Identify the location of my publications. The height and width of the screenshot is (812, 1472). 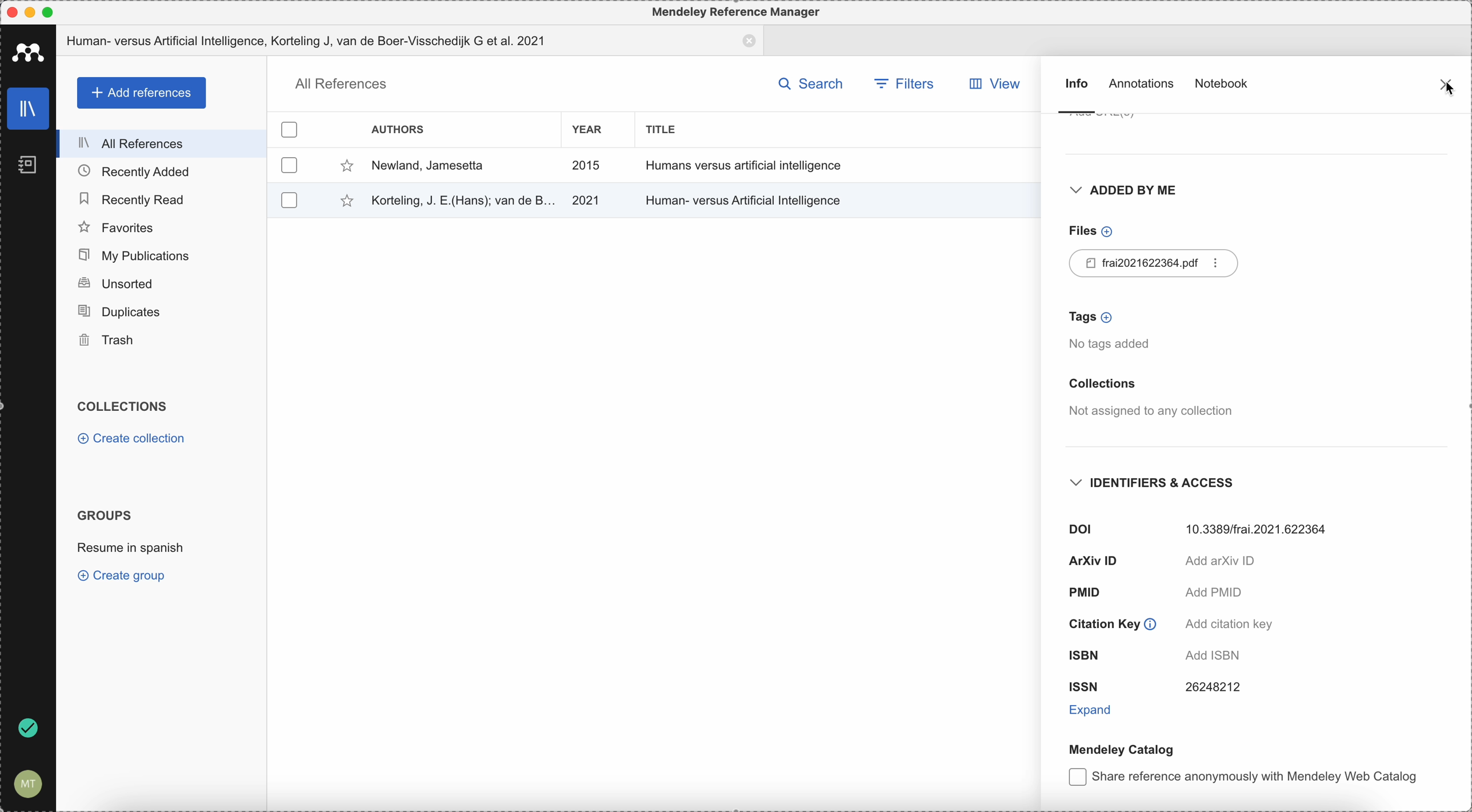
(164, 255).